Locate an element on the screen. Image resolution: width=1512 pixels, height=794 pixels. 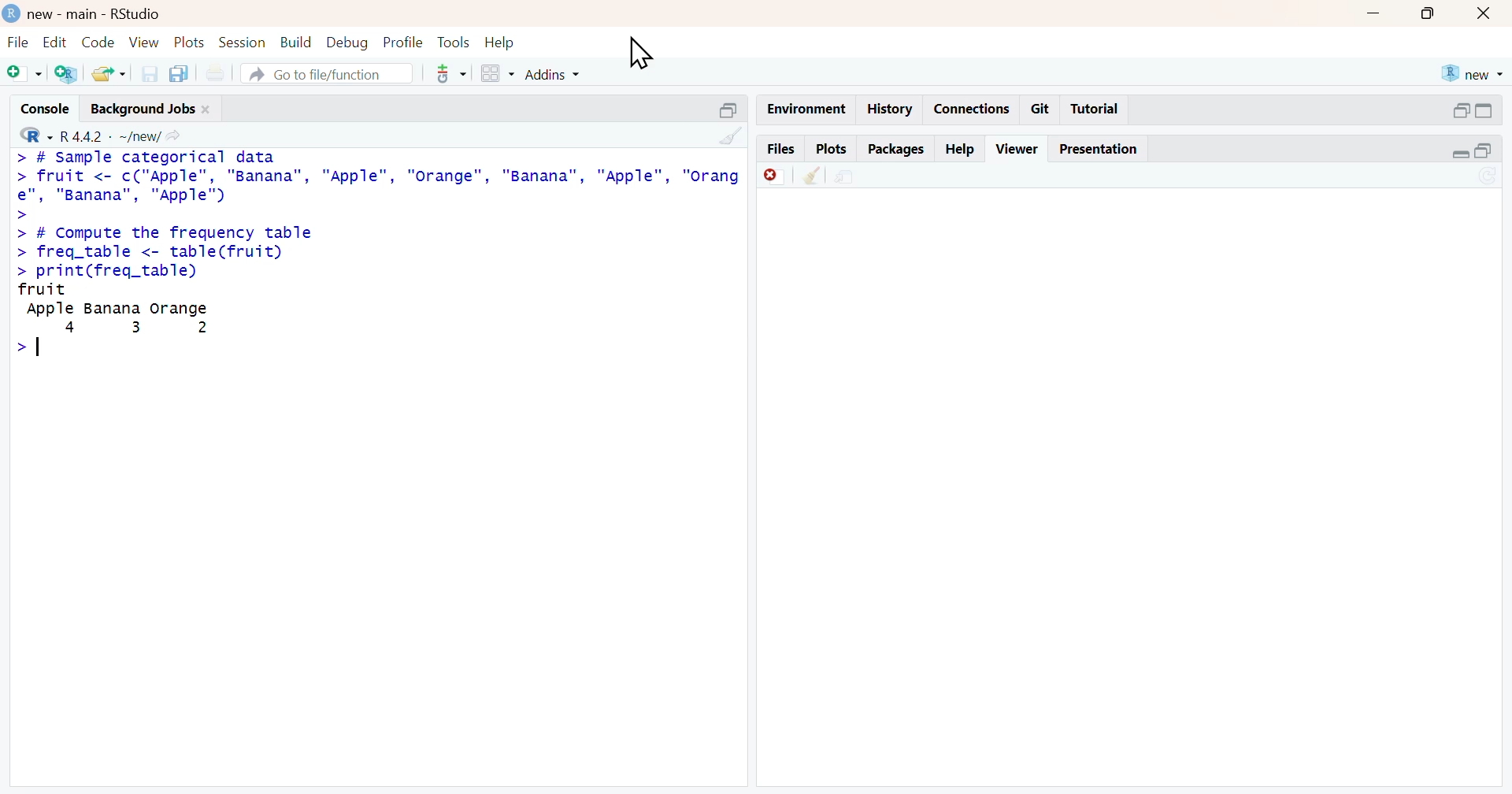
plots is located at coordinates (190, 43).